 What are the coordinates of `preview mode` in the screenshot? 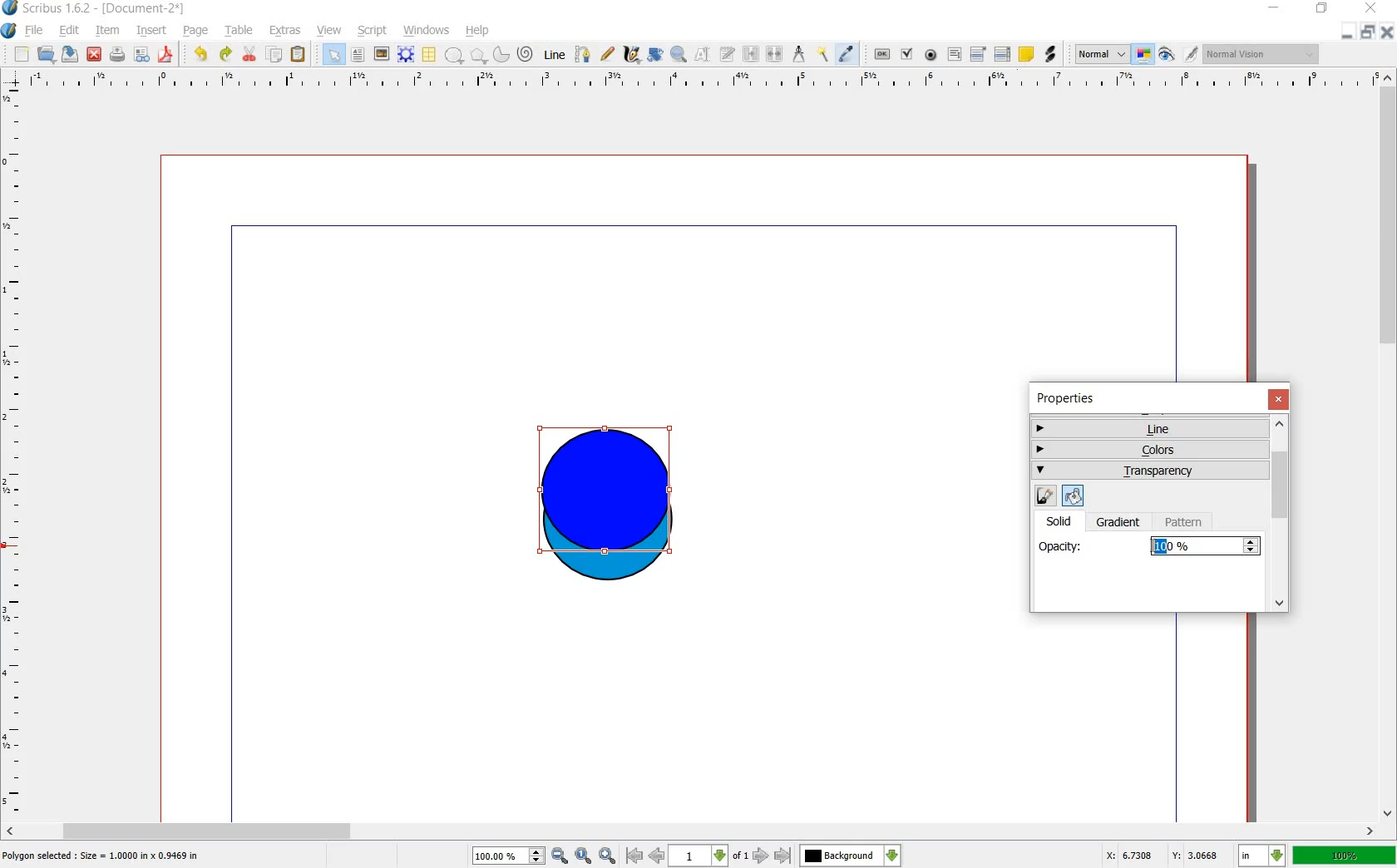 It's located at (1166, 57).